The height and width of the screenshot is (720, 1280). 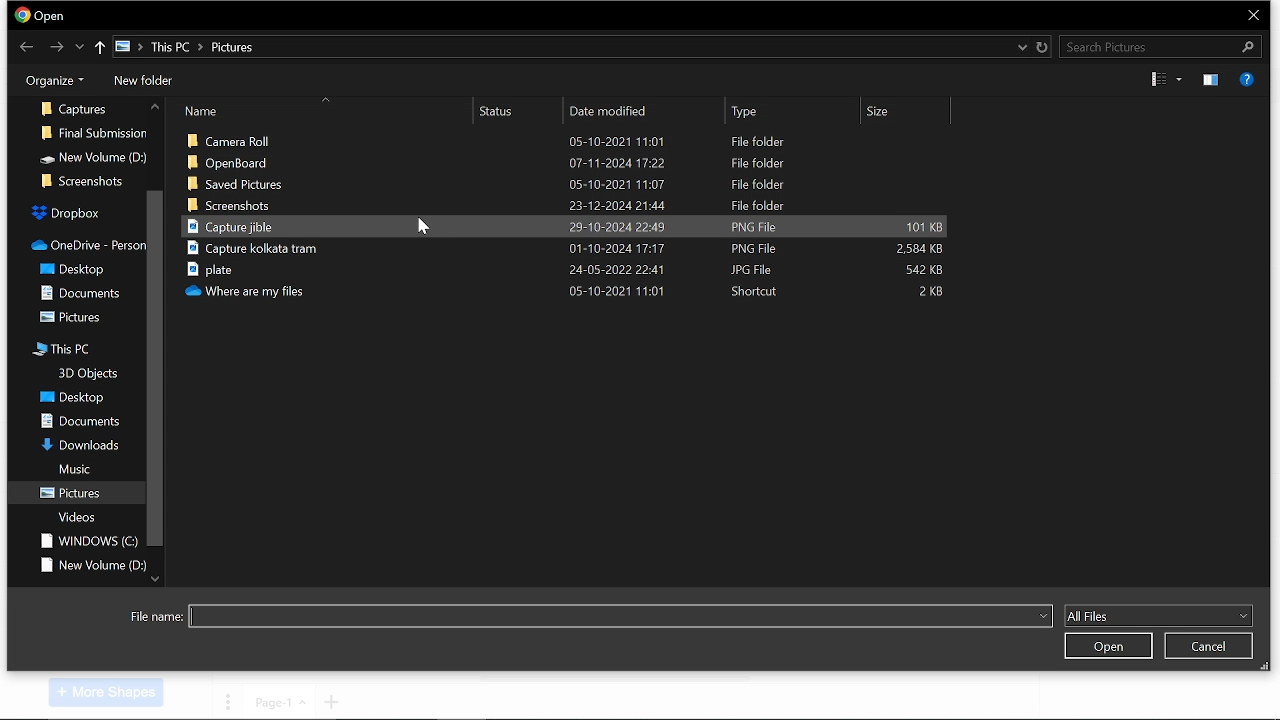 I want to click on files, so click(x=574, y=290).